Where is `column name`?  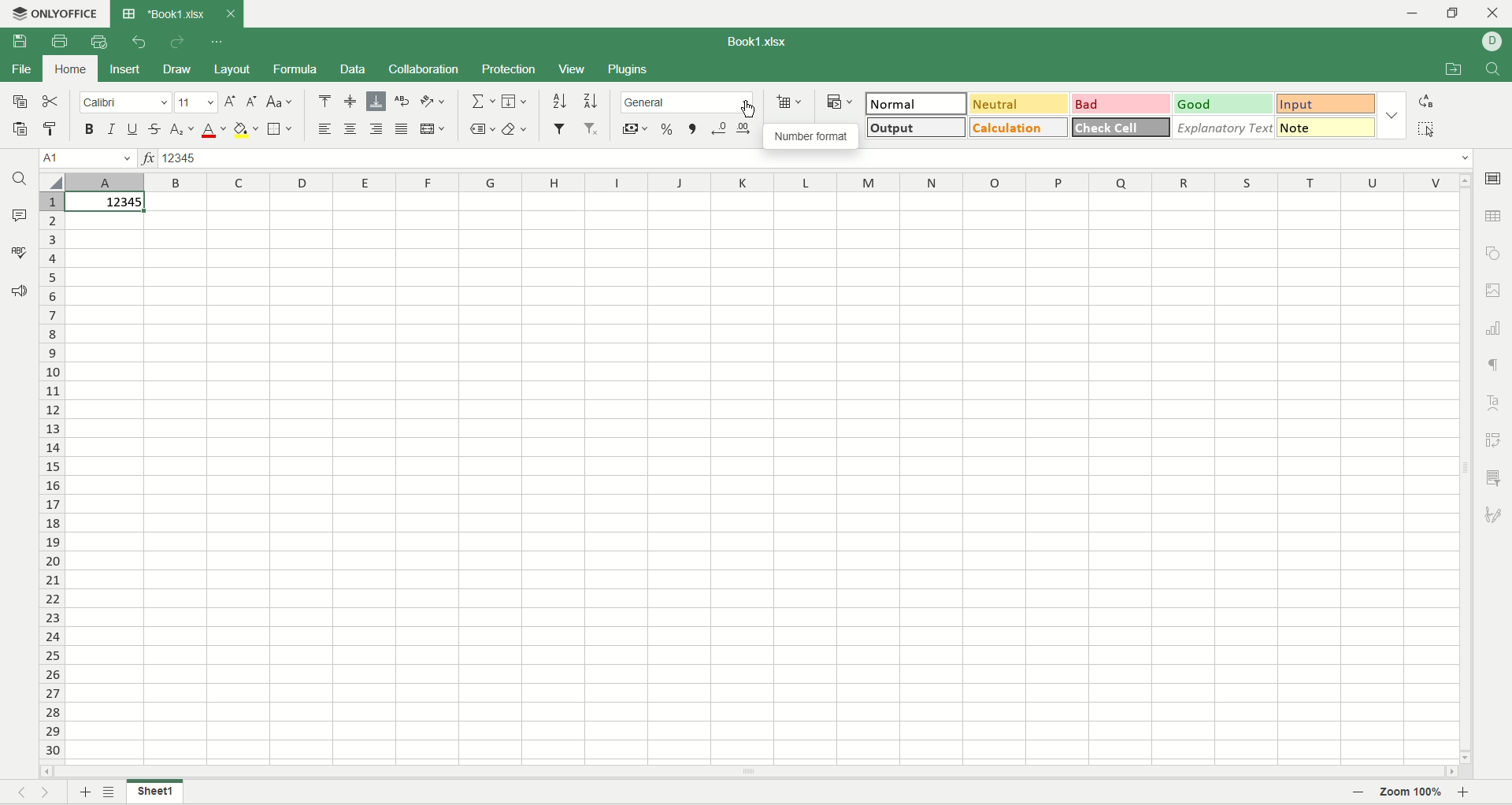 column name is located at coordinates (765, 184).